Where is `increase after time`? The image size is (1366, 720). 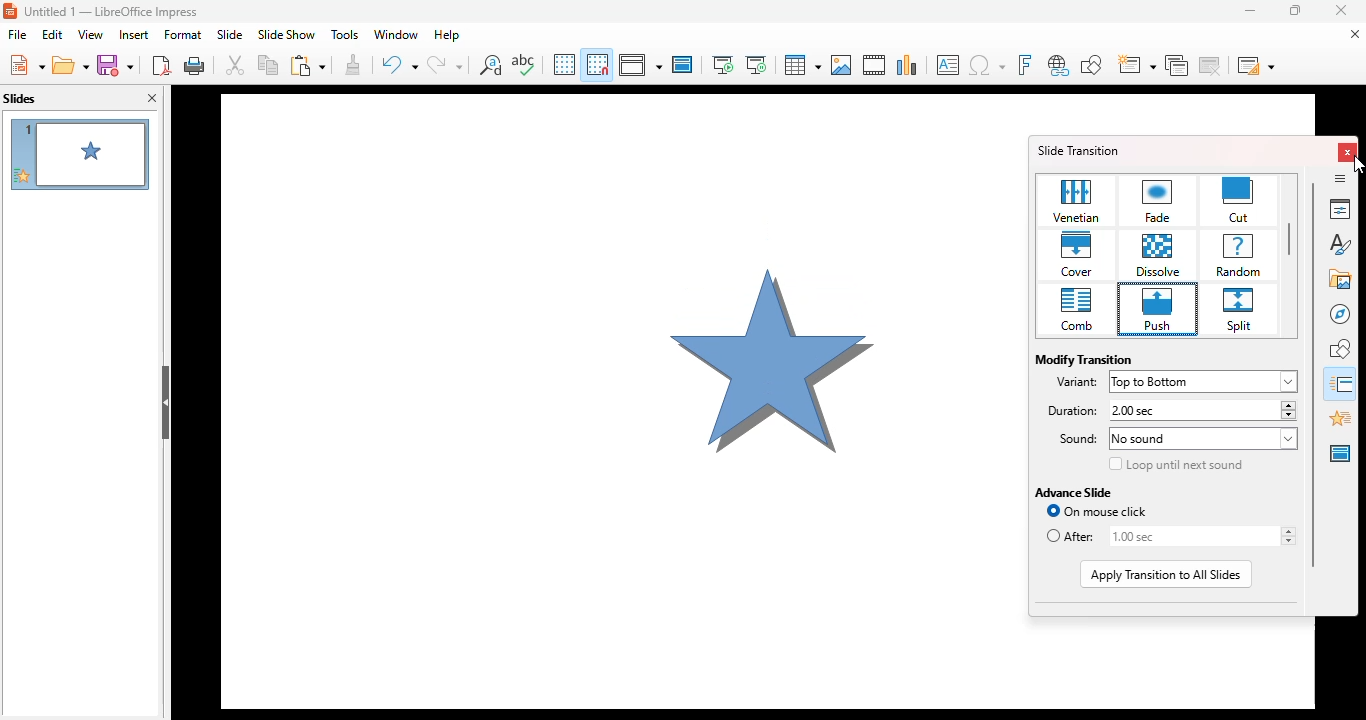 increase after time is located at coordinates (1287, 531).